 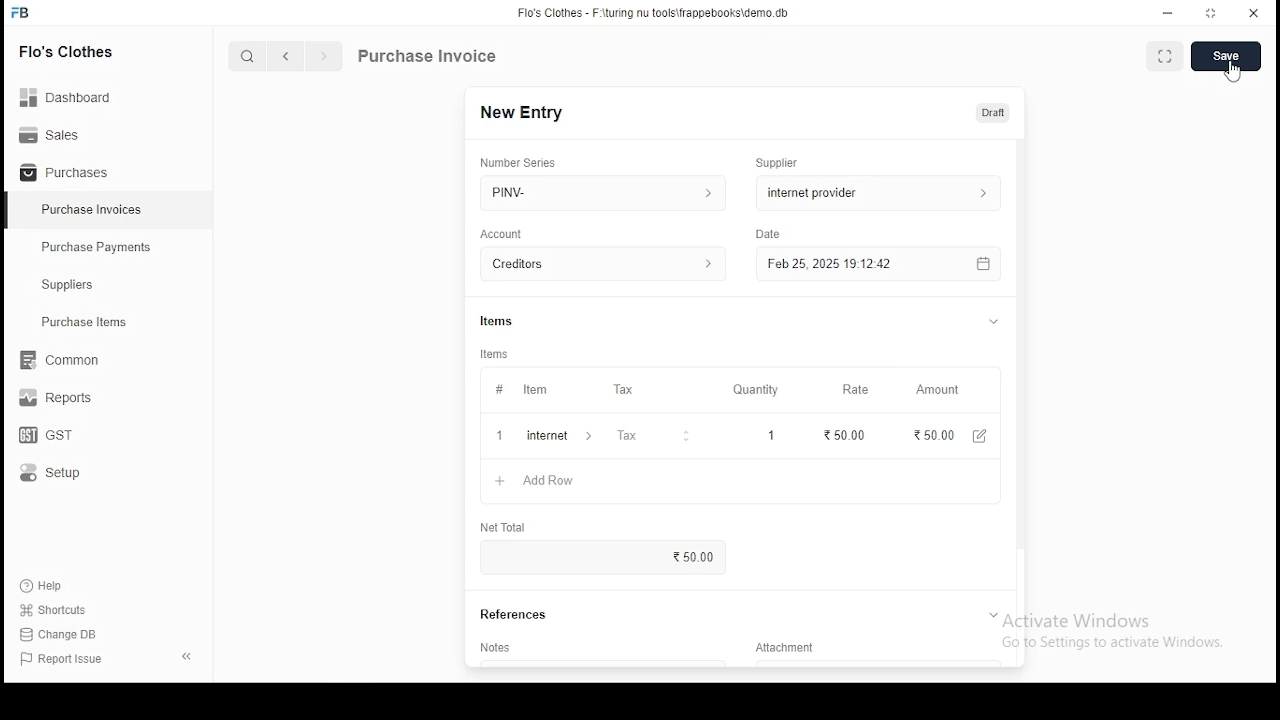 I want to click on Purchases, so click(x=65, y=173).